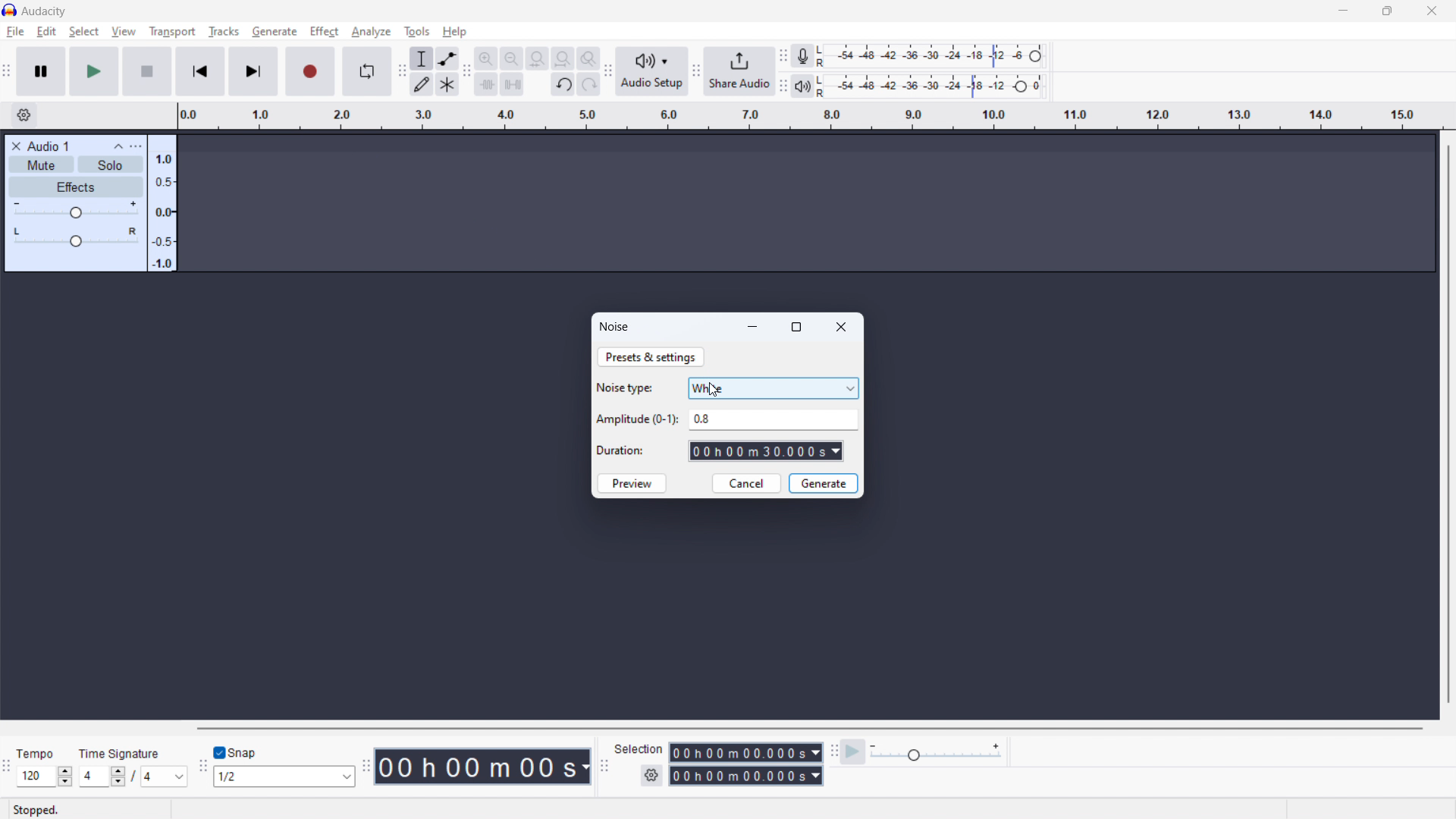 The width and height of the screenshot is (1456, 819). Describe the element at coordinates (417, 30) in the screenshot. I see `tools` at that location.